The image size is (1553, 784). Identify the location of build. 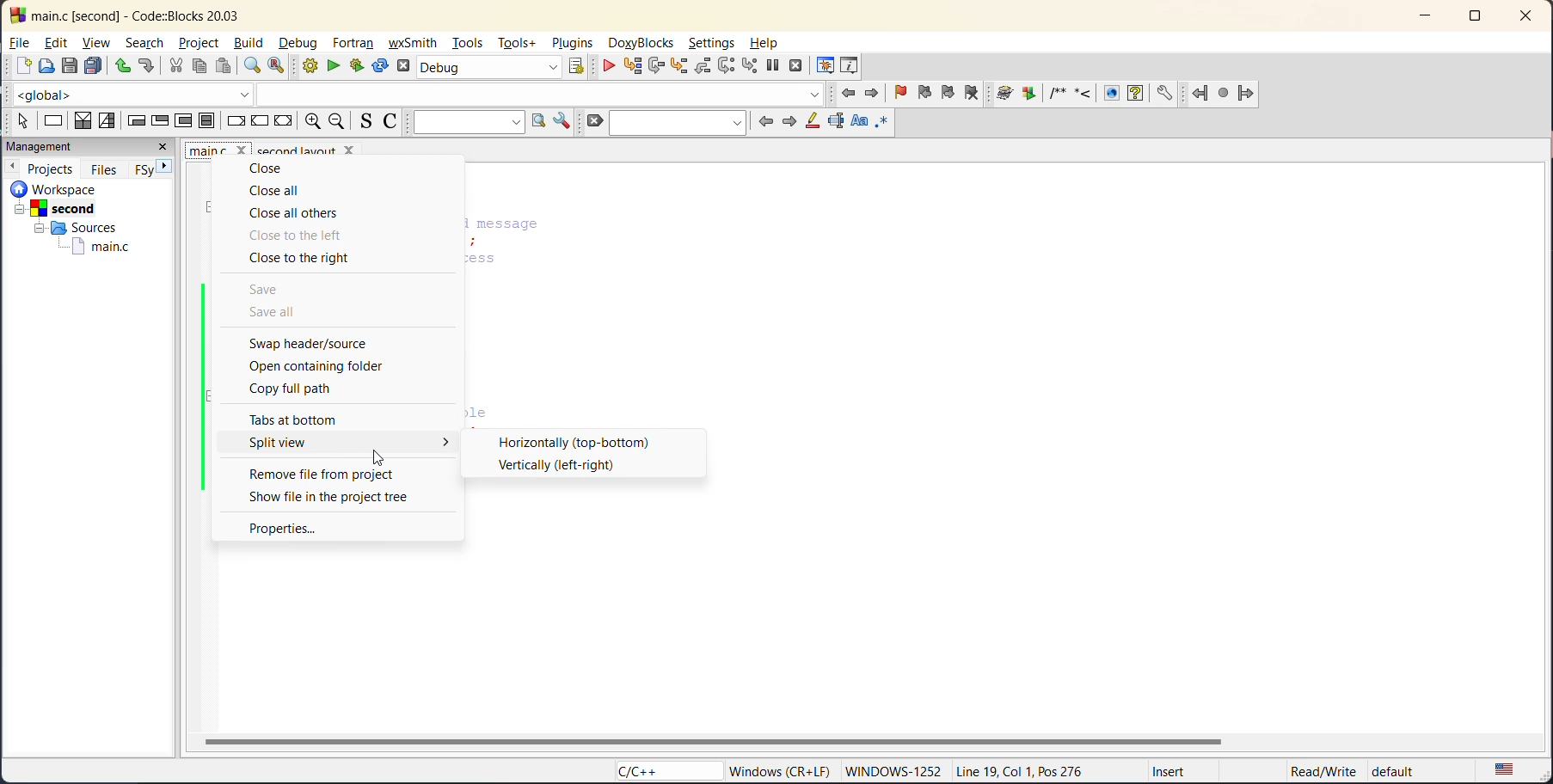
(254, 42).